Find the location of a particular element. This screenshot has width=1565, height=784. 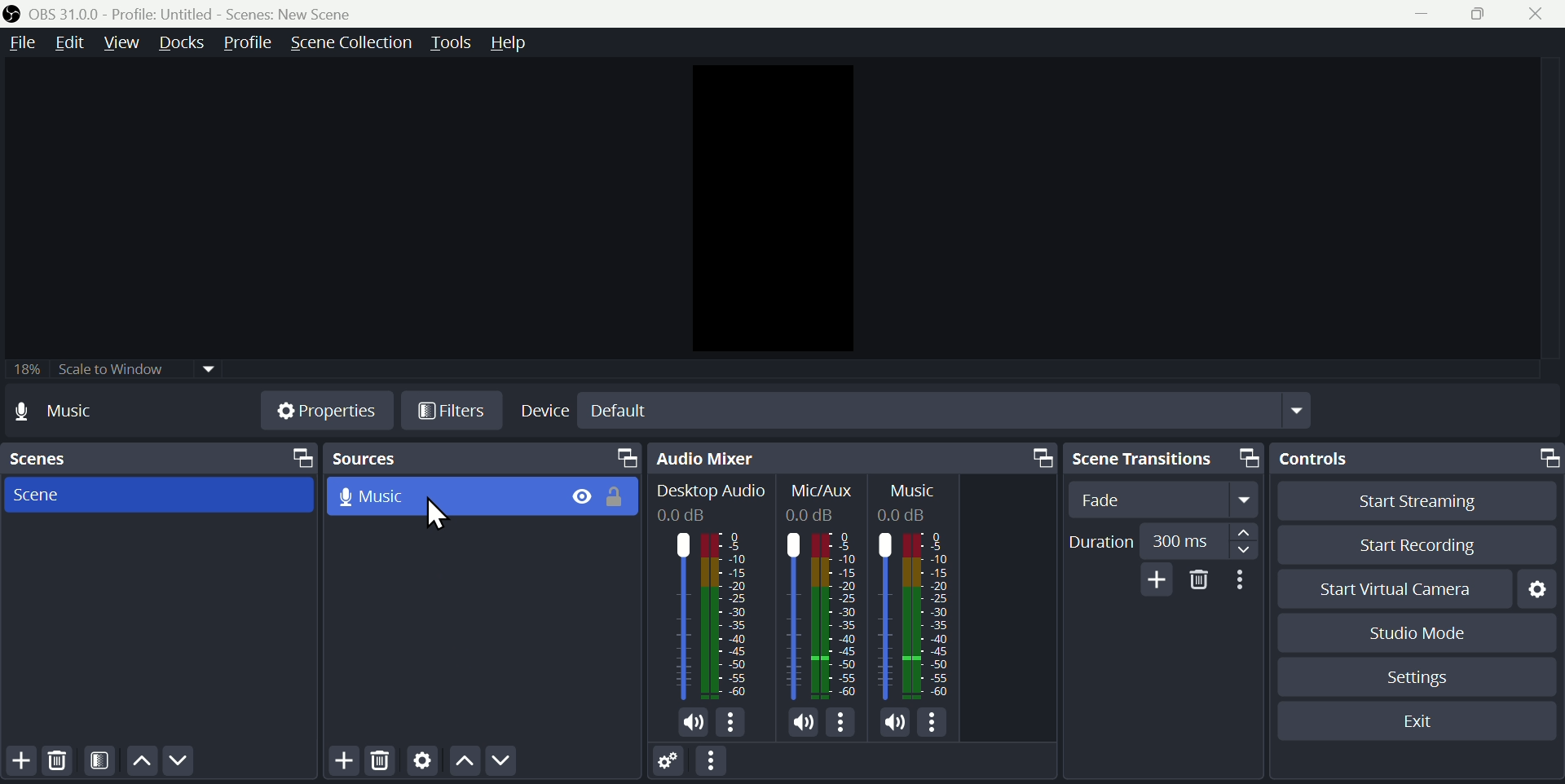

add is located at coordinates (1159, 577).